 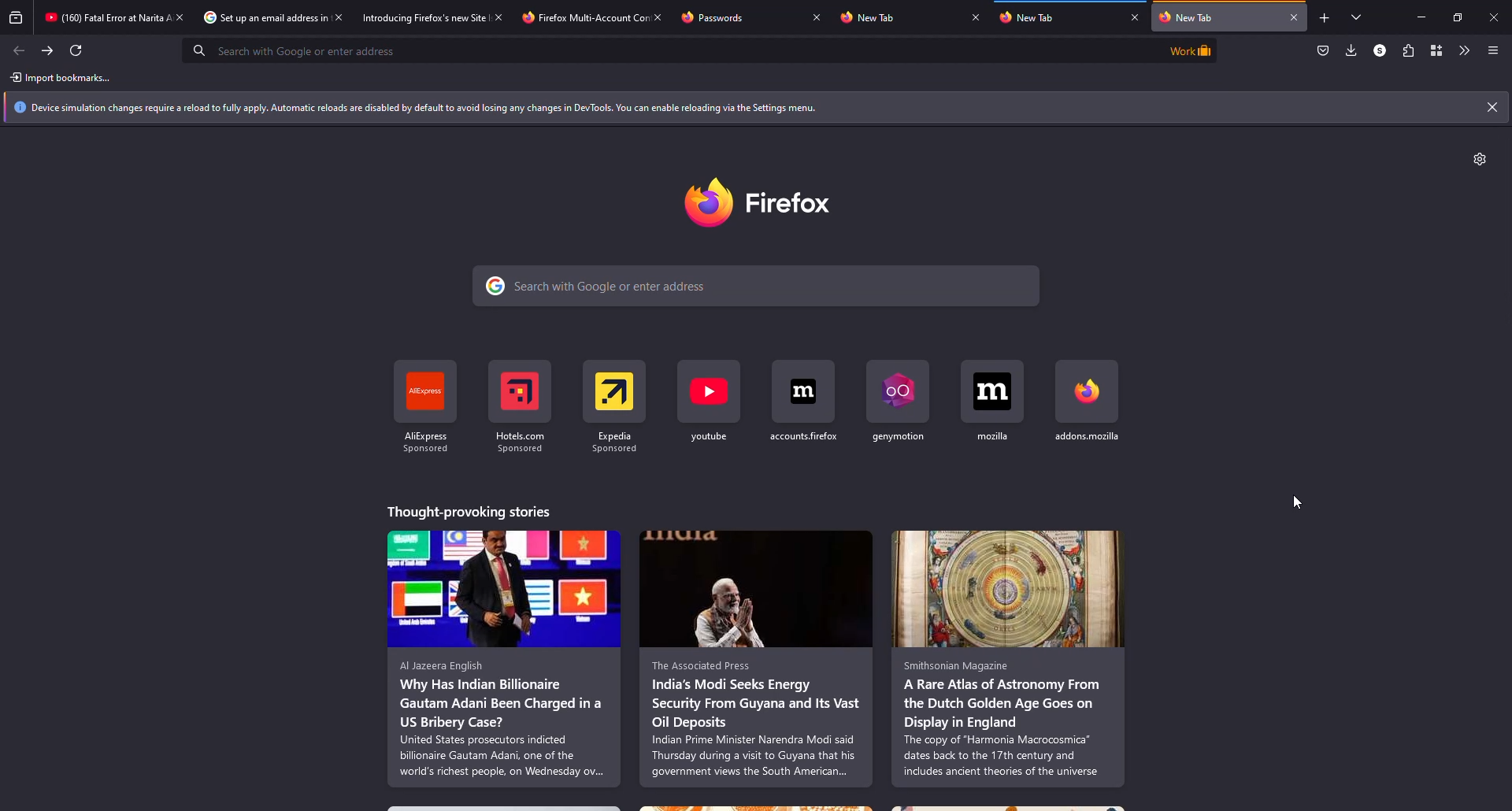 I want to click on save to packet, so click(x=1323, y=51).